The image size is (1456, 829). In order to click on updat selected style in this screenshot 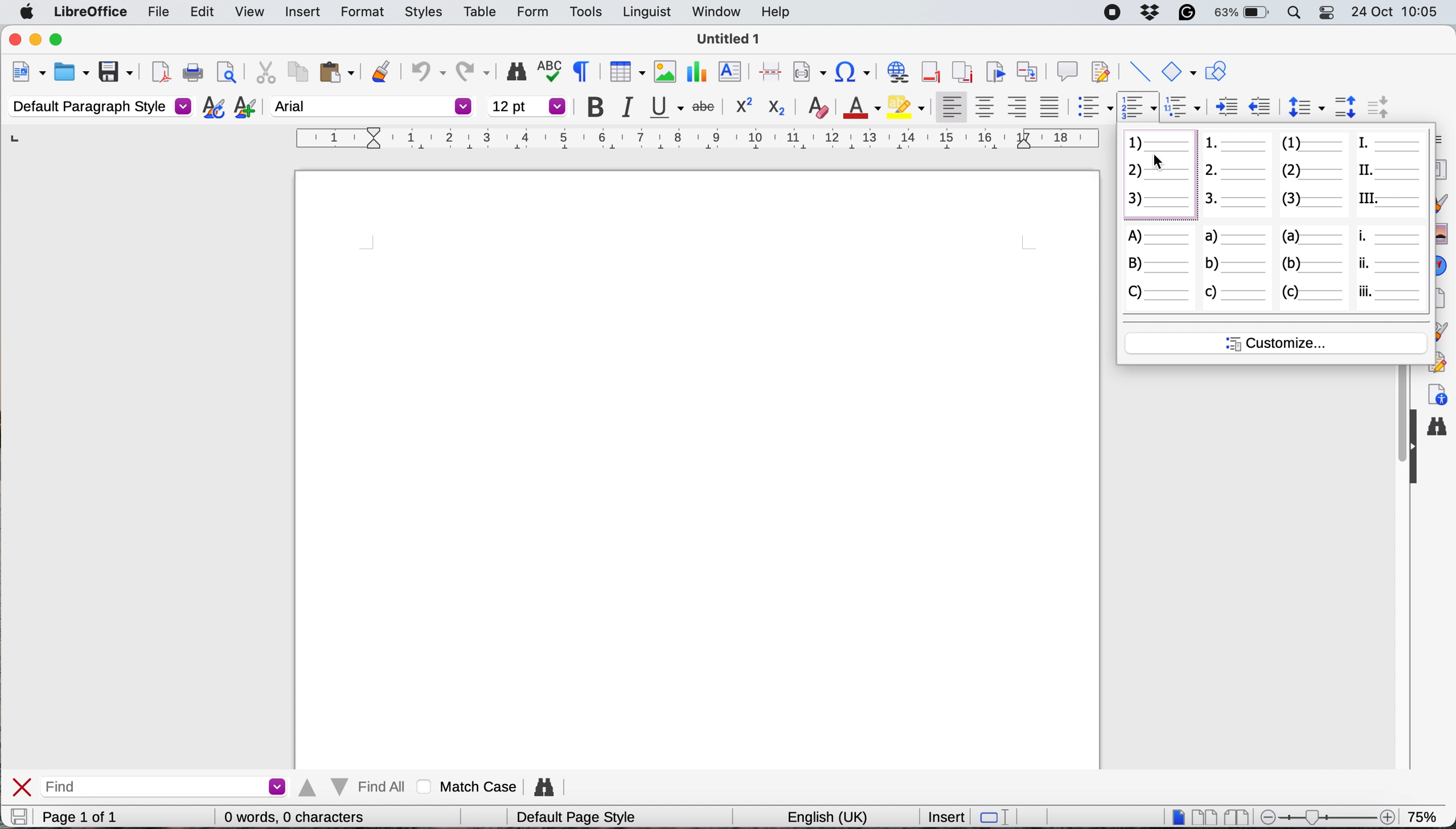, I will do `click(212, 107)`.